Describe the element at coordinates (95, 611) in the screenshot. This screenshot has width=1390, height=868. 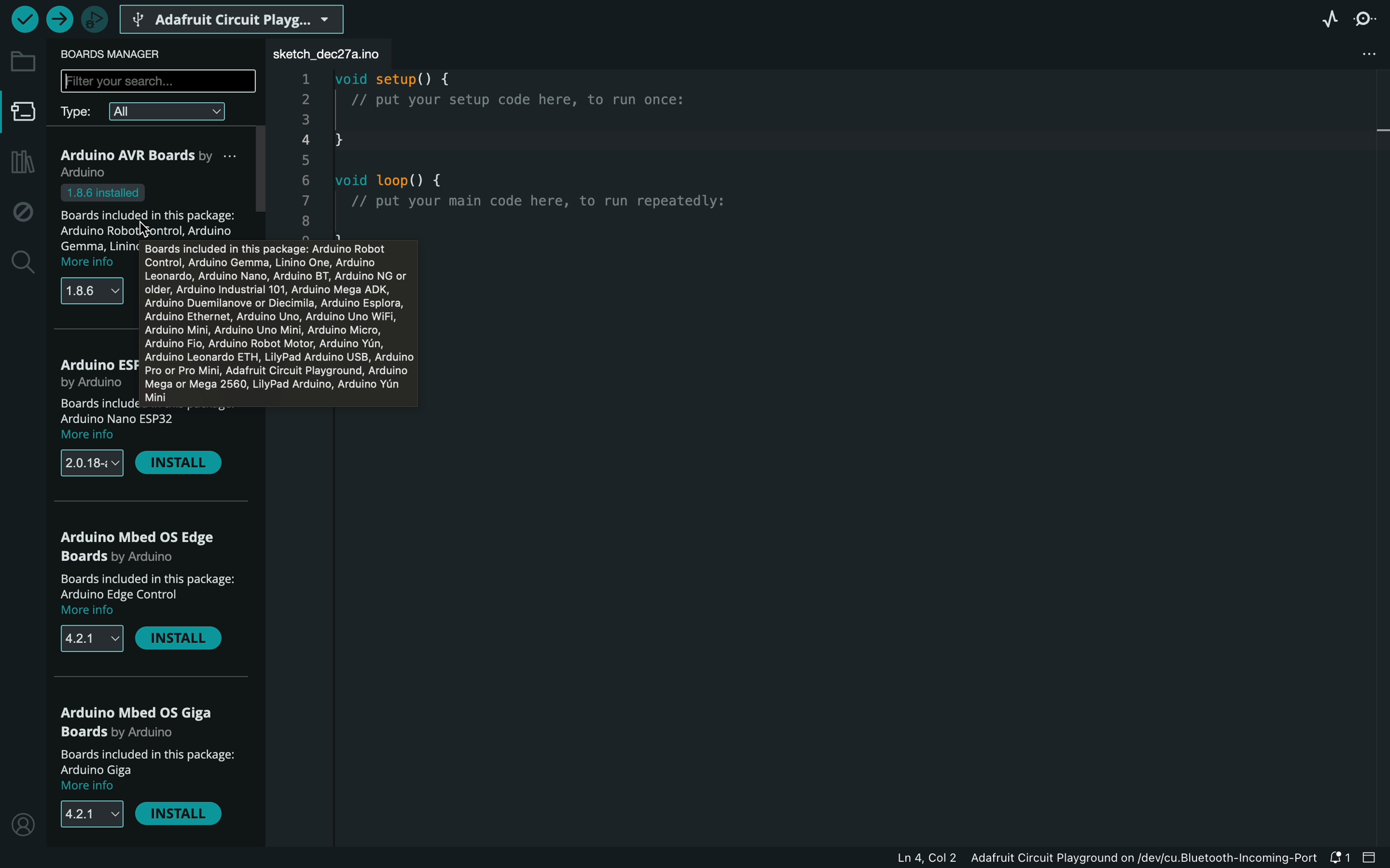
I see `more info` at that location.